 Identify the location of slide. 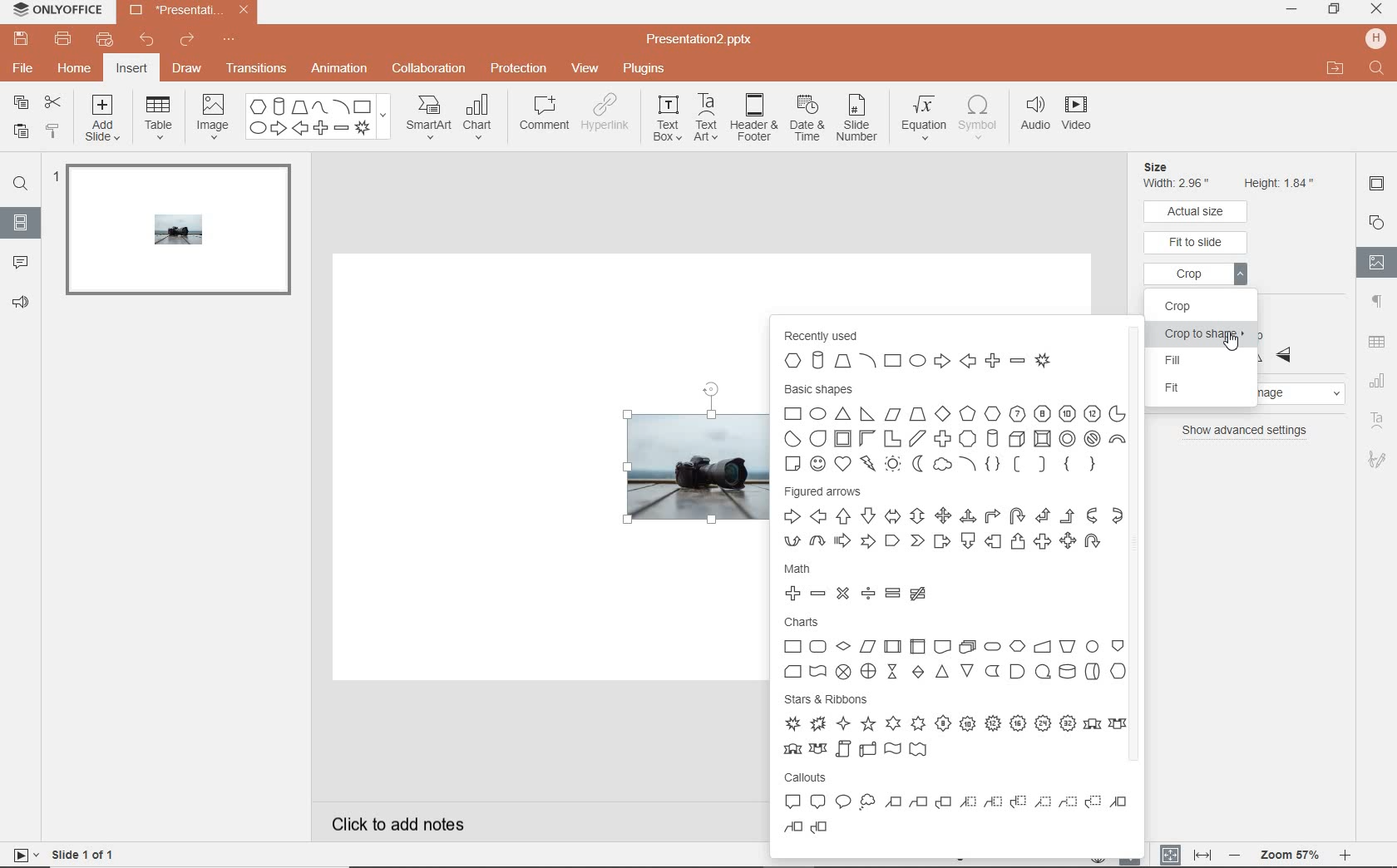
(175, 236).